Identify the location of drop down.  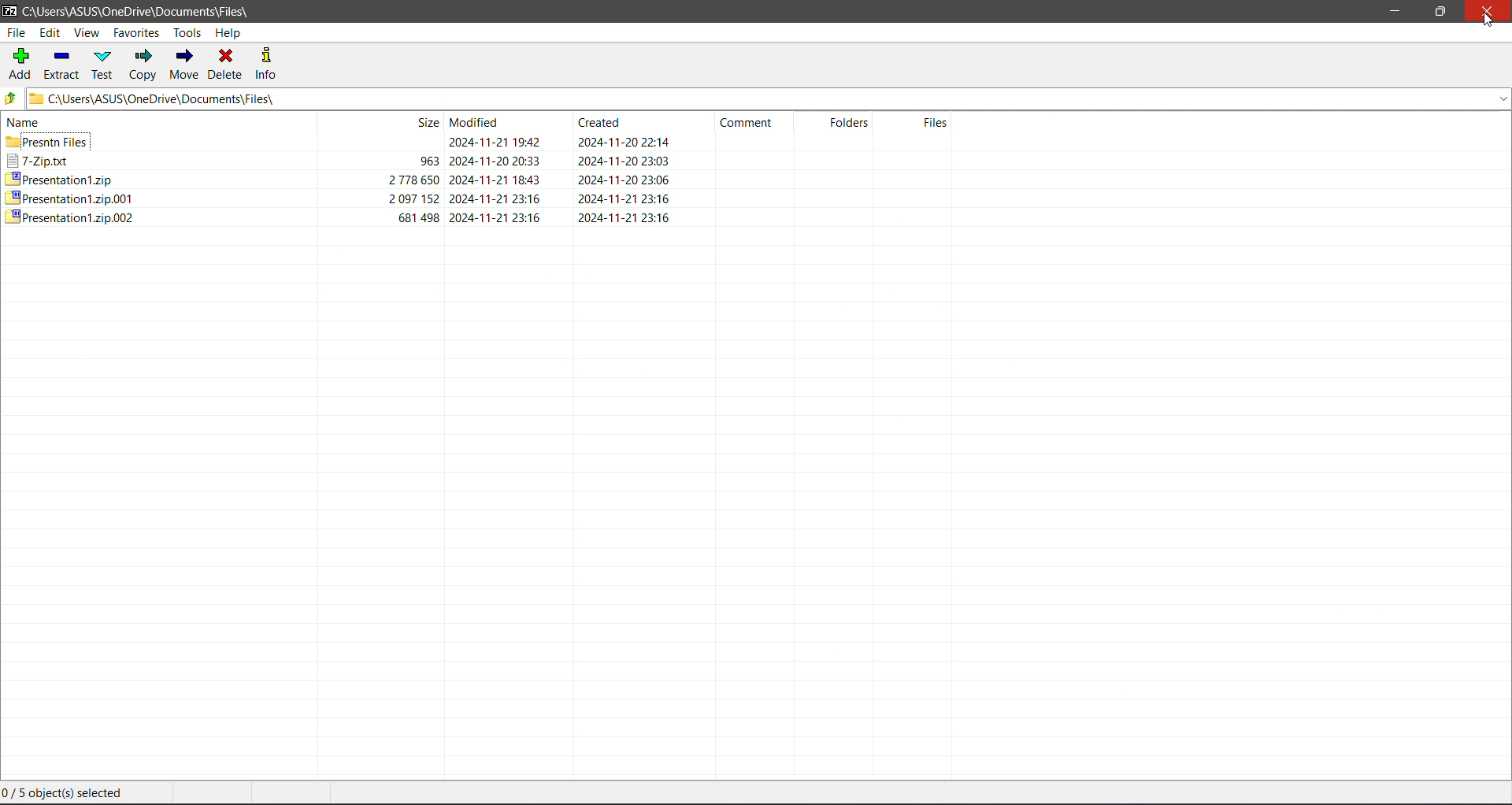
(1498, 100).